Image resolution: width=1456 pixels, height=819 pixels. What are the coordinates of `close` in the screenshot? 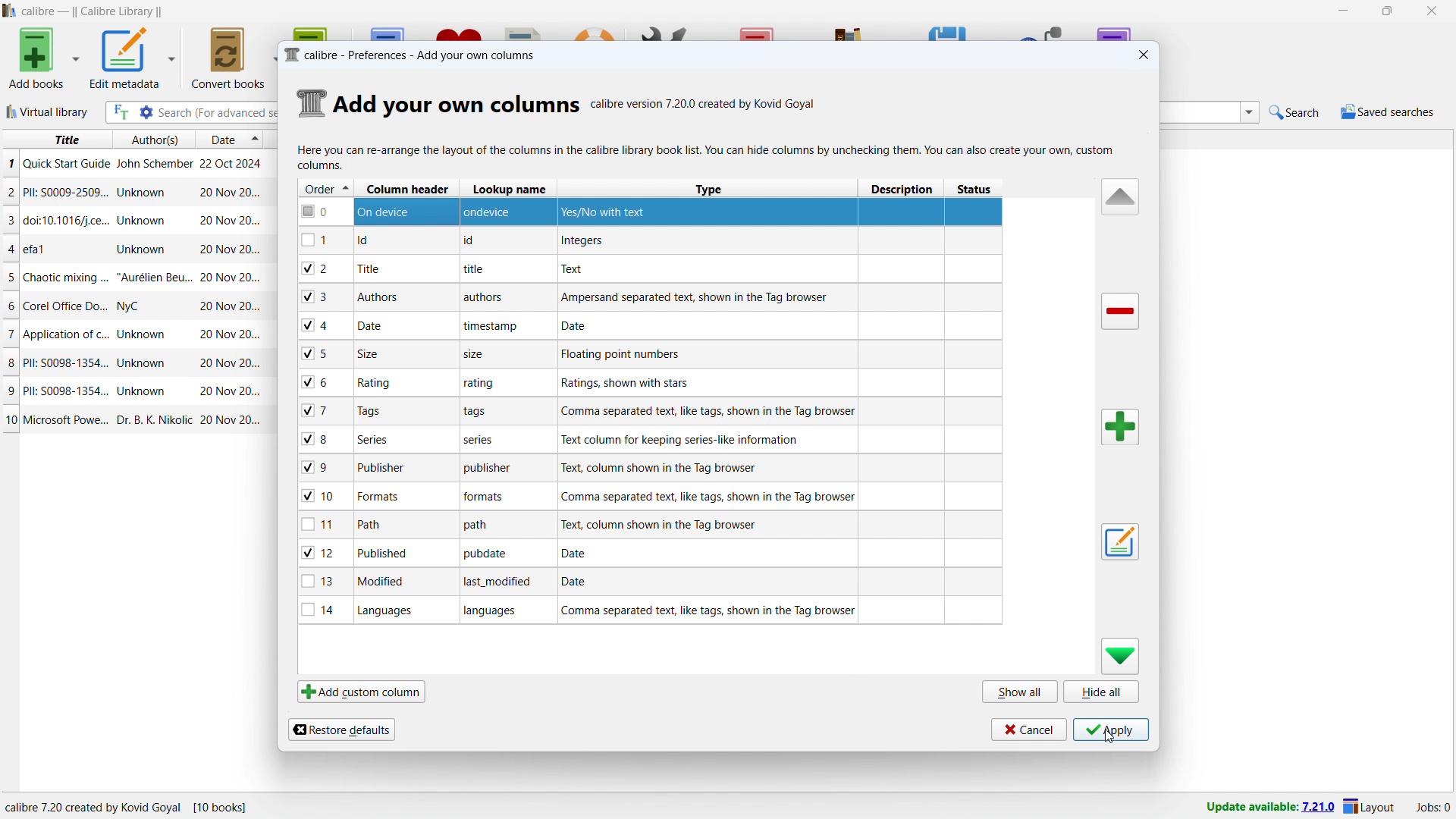 It's located at (1144, 55).